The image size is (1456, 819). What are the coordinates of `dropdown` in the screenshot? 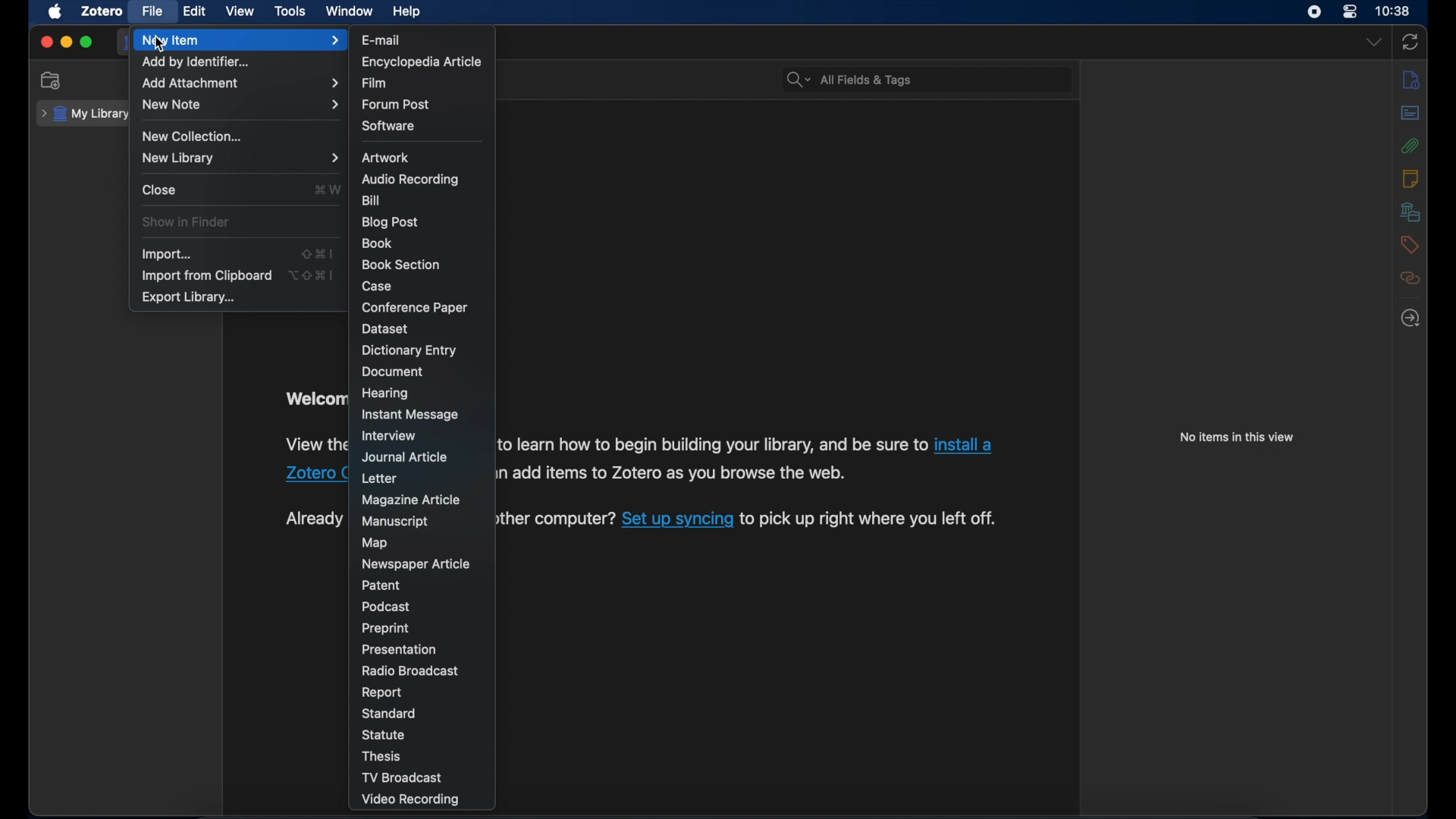 It's located at (1375, 42).